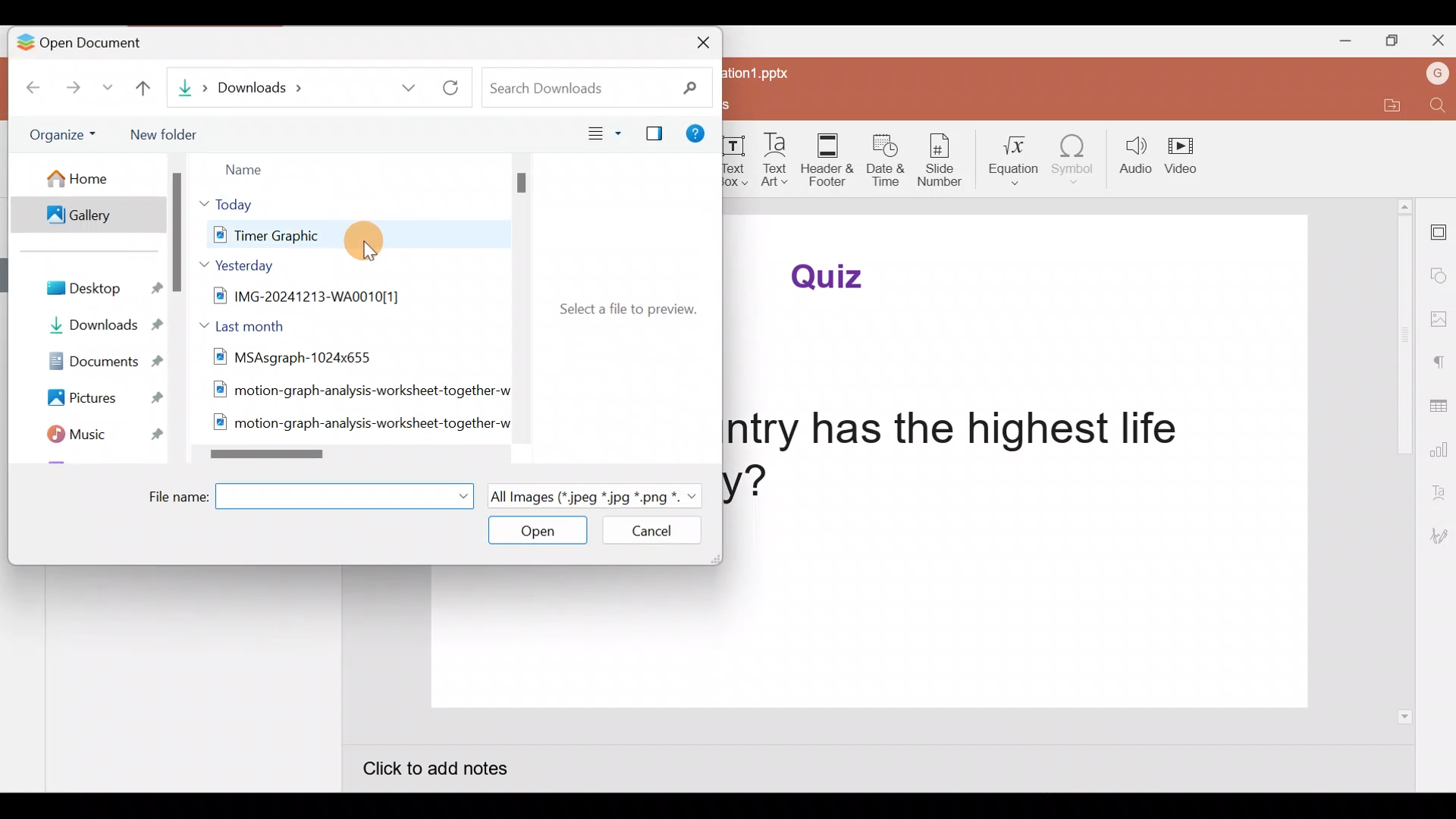 The width and height of the screenshot is (1456, 819). What do you see at coordinates (827, 155) in the screenshot?
I see `Header & footer` at bounding box center [827, 155].